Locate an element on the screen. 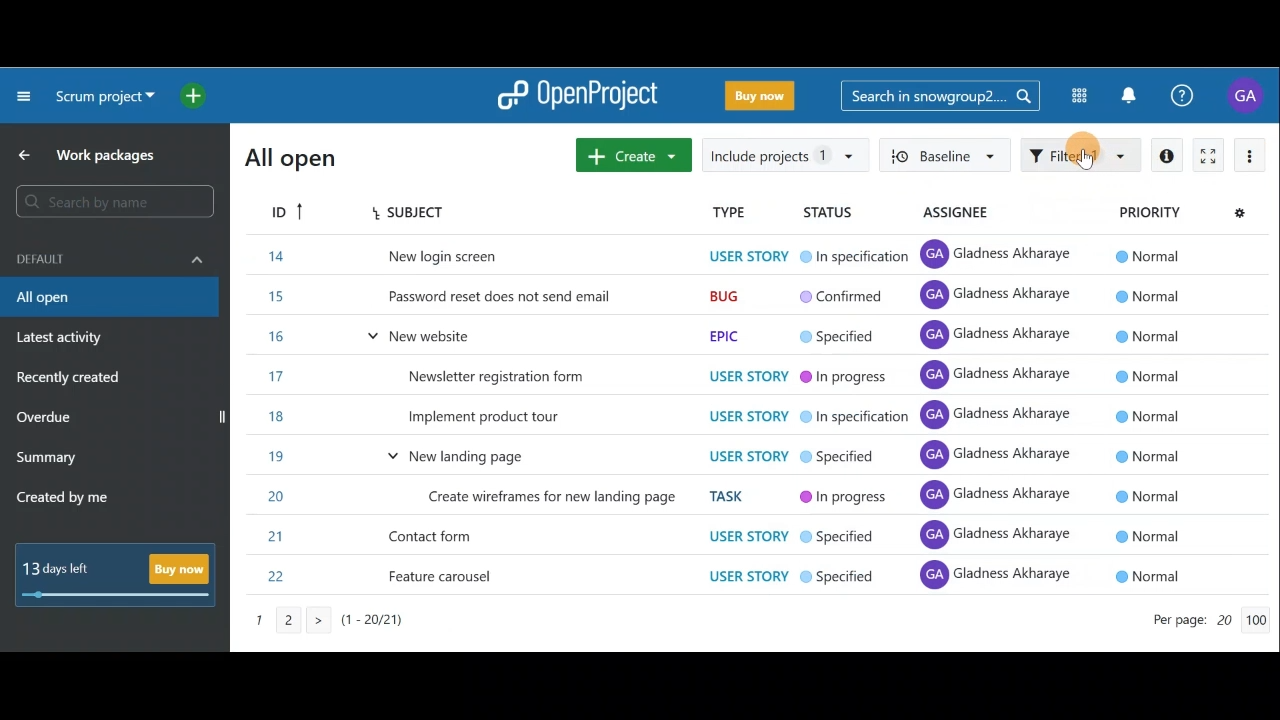 This screenshot has width=1280, height=720. ID is located at coordinates (290, 216).